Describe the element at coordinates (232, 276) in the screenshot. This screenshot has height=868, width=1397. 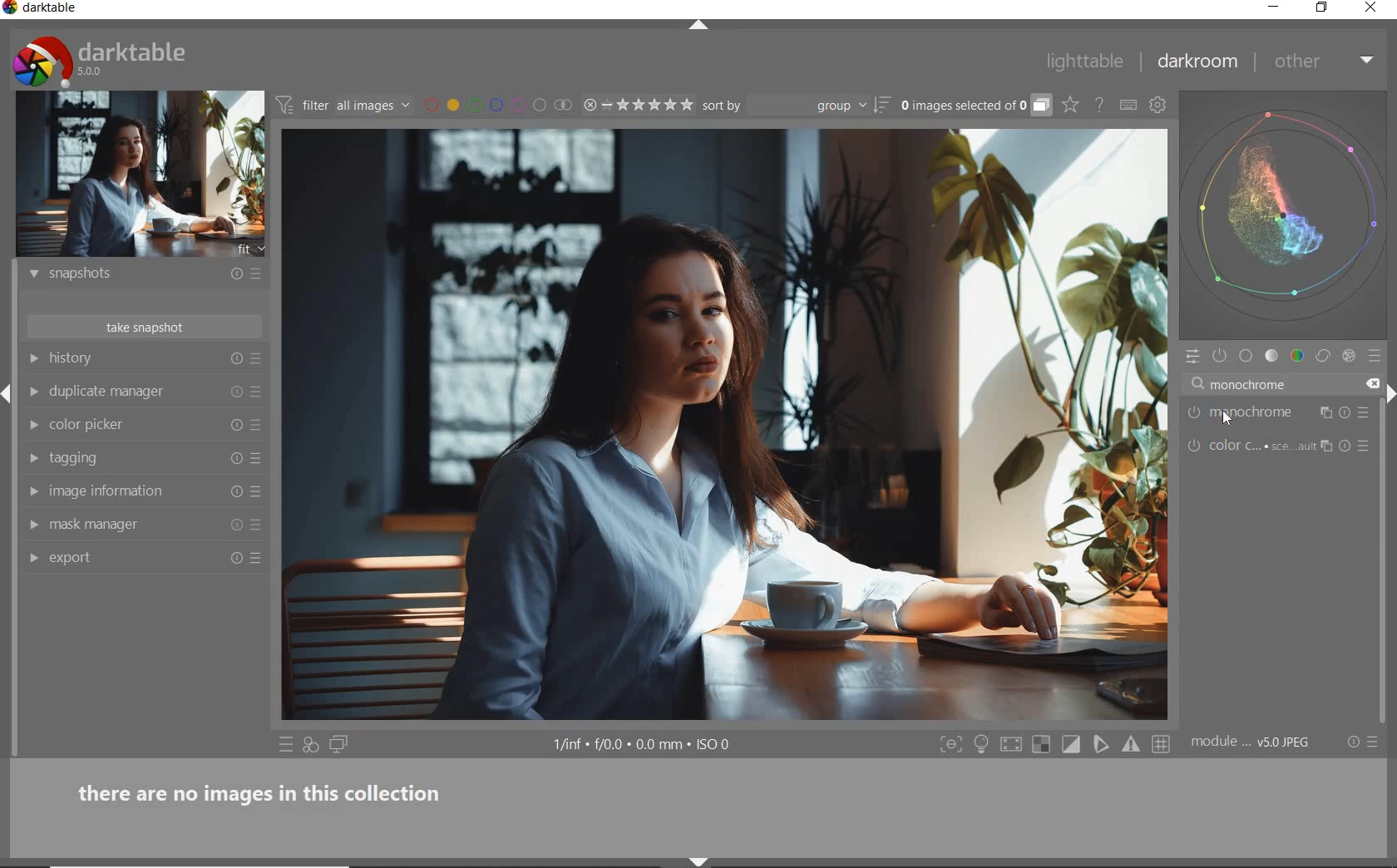
I see `reset` at that location.